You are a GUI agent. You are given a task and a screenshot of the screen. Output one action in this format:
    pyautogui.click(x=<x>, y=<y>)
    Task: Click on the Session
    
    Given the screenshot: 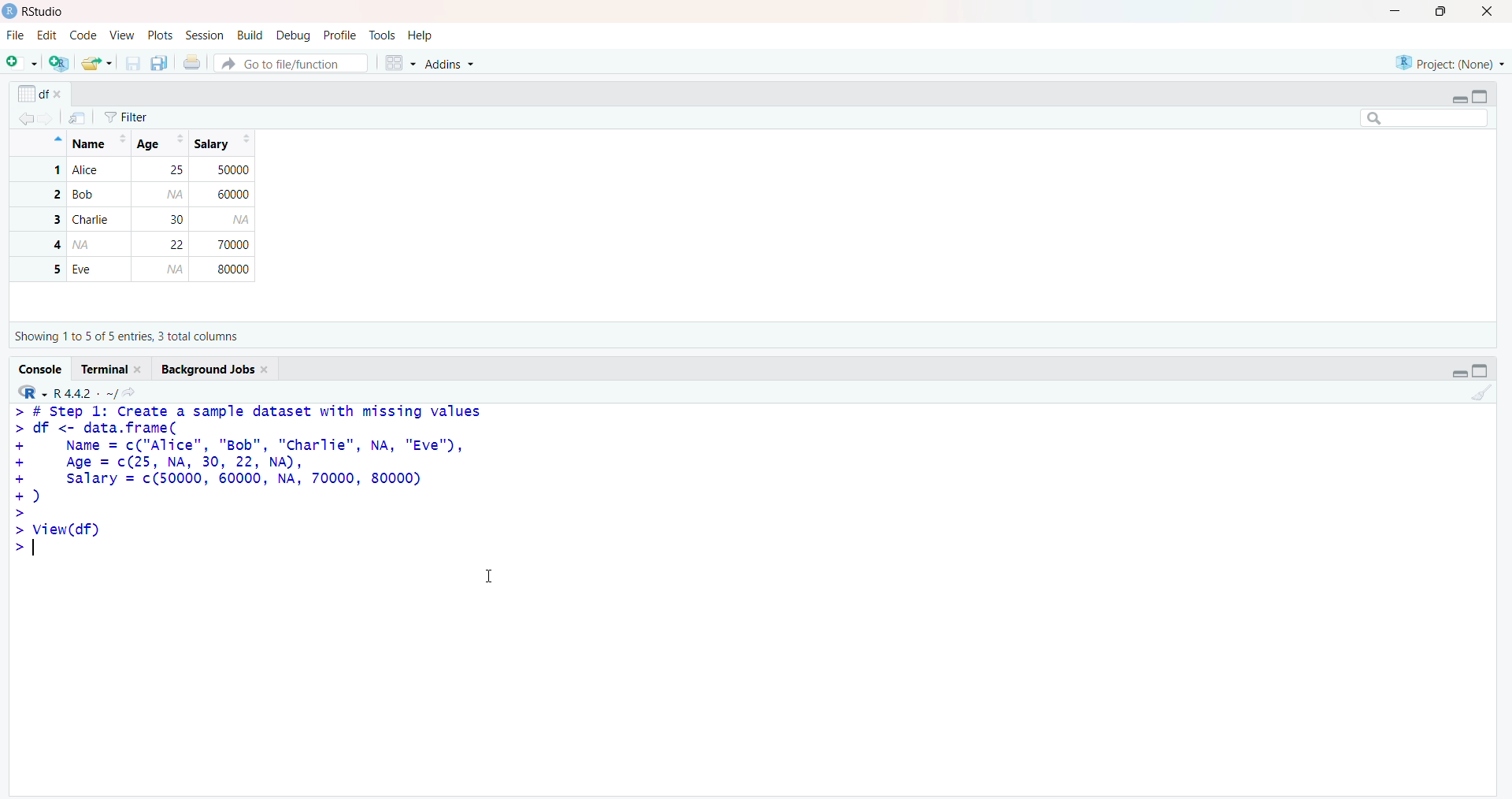 What is the action you would take?
    pyautogui.click(x=205, y=36)
    